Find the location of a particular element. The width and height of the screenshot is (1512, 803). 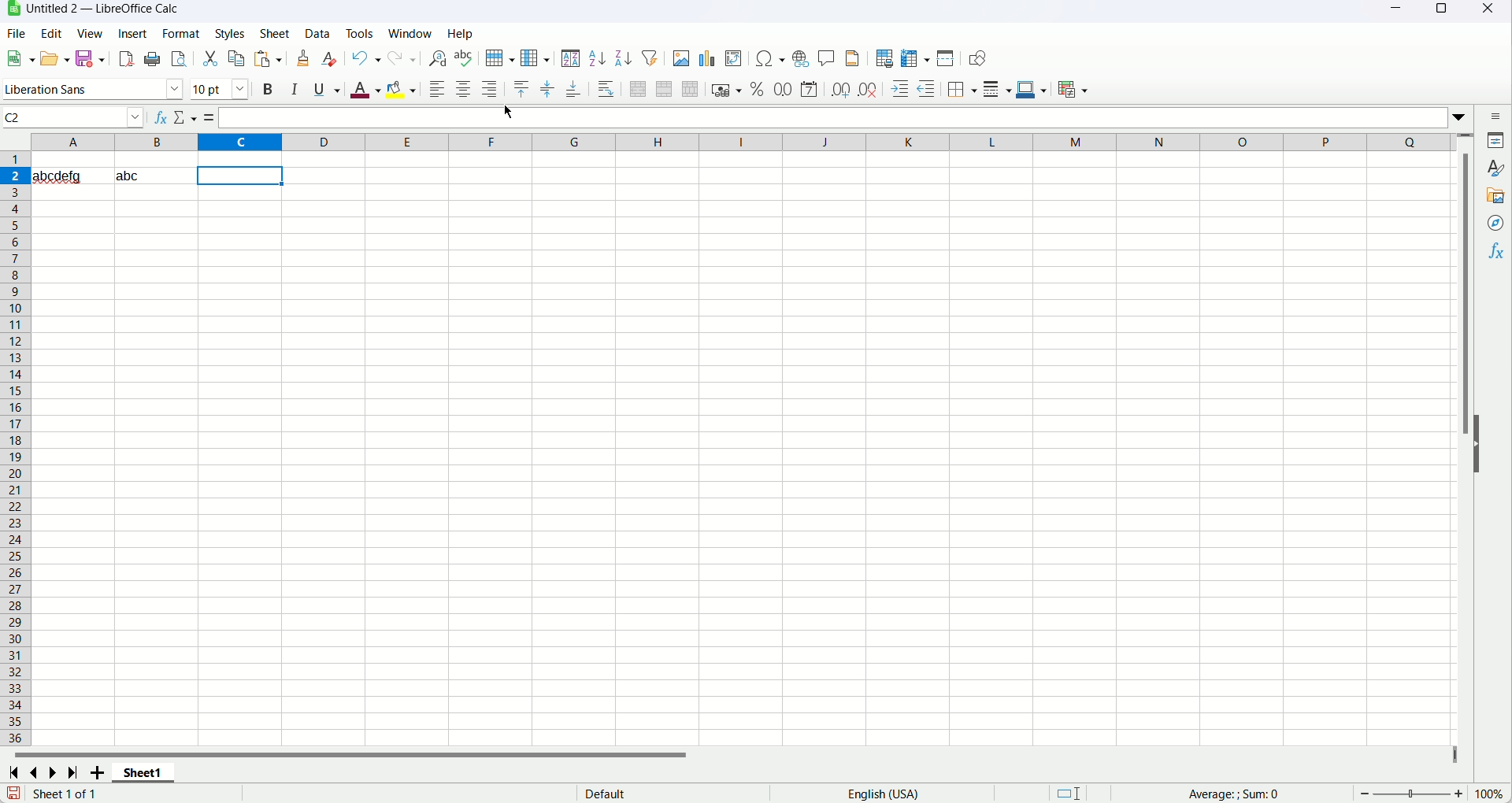

insert chart is located at coordinates (706, 59).